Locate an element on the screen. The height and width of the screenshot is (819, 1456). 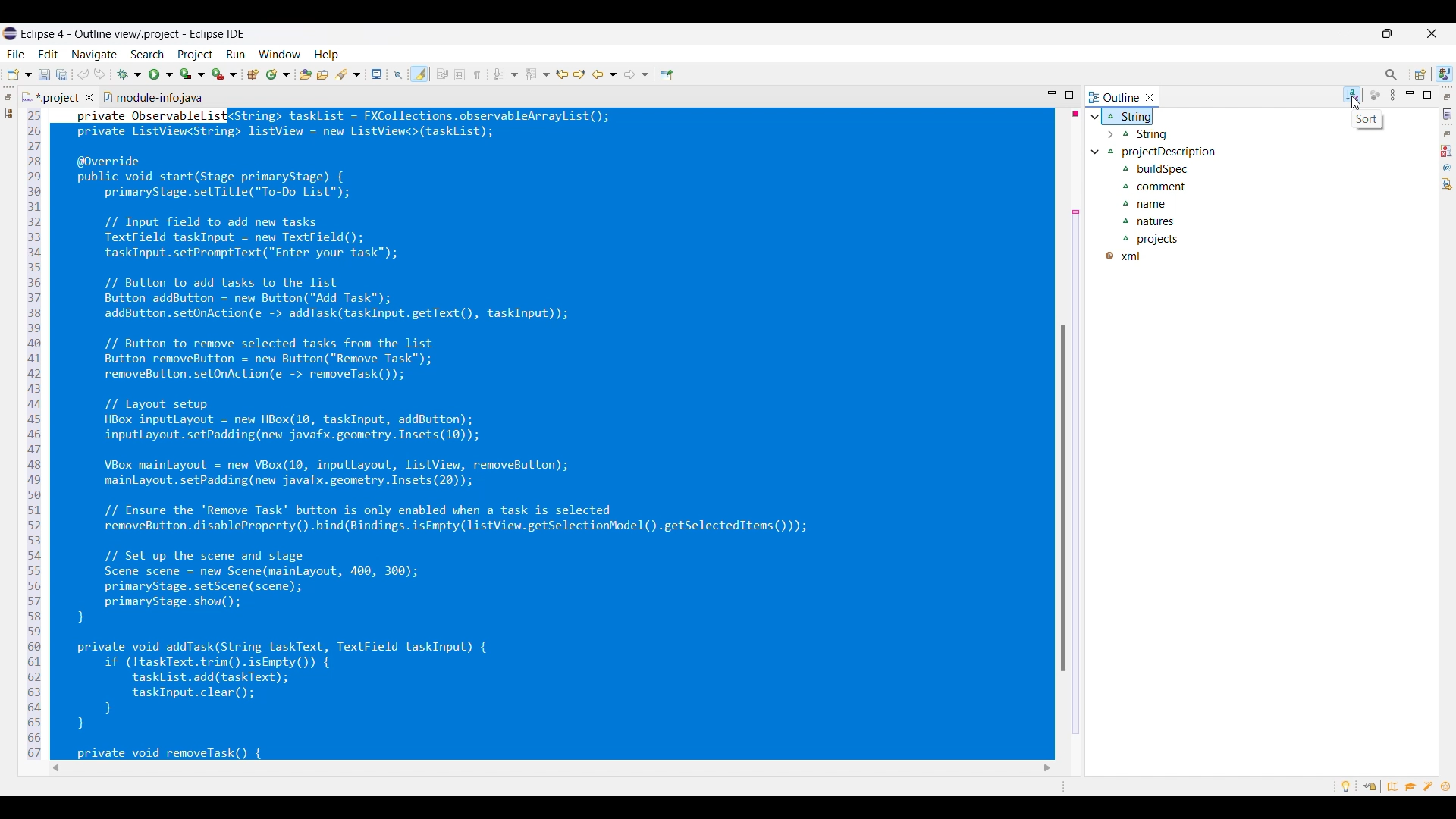
Current tab highlighted is located at coordinates (51, 96).